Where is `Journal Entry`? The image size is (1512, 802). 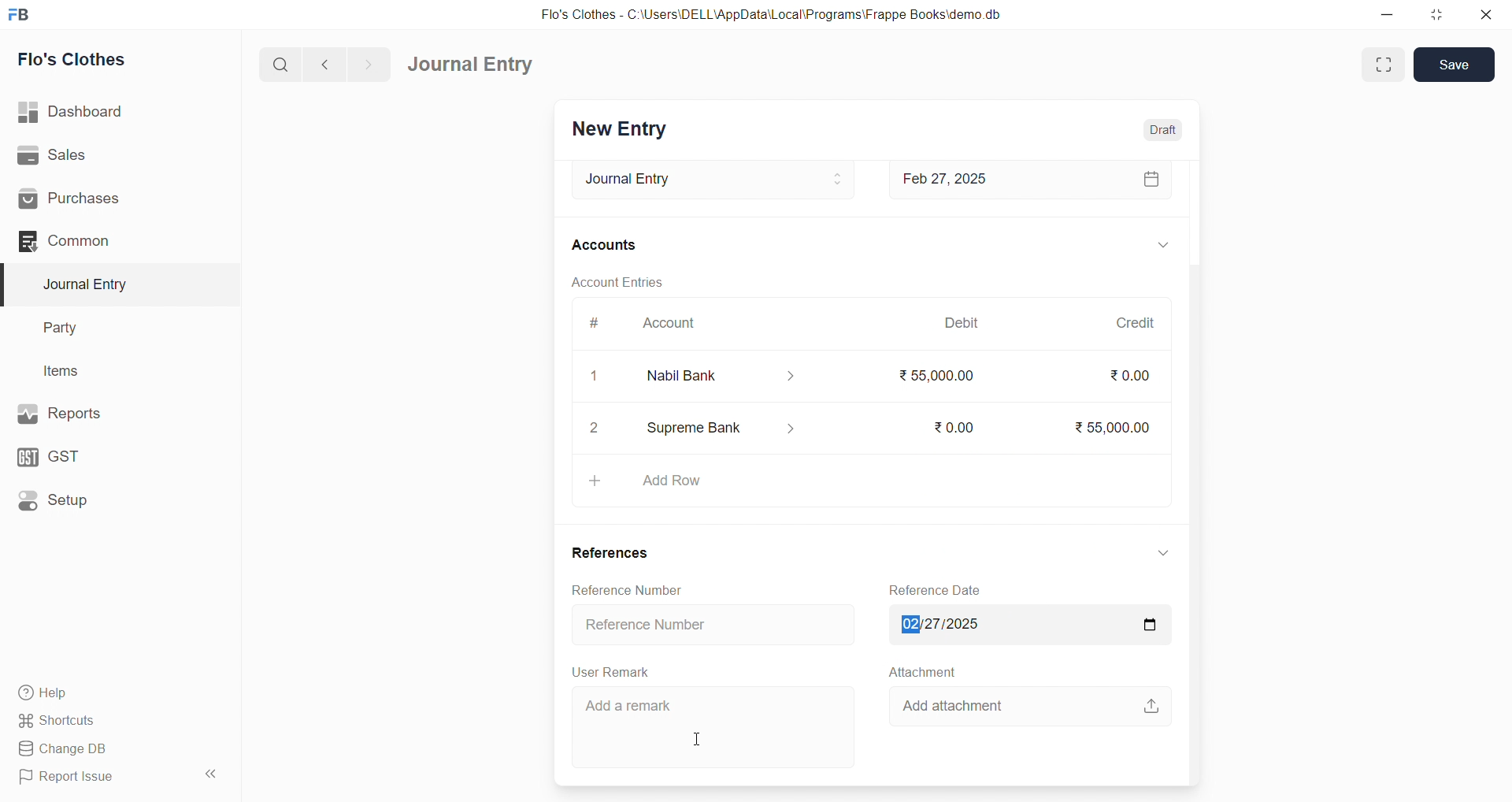 Journal Entry is located at coordinates (90, 284).